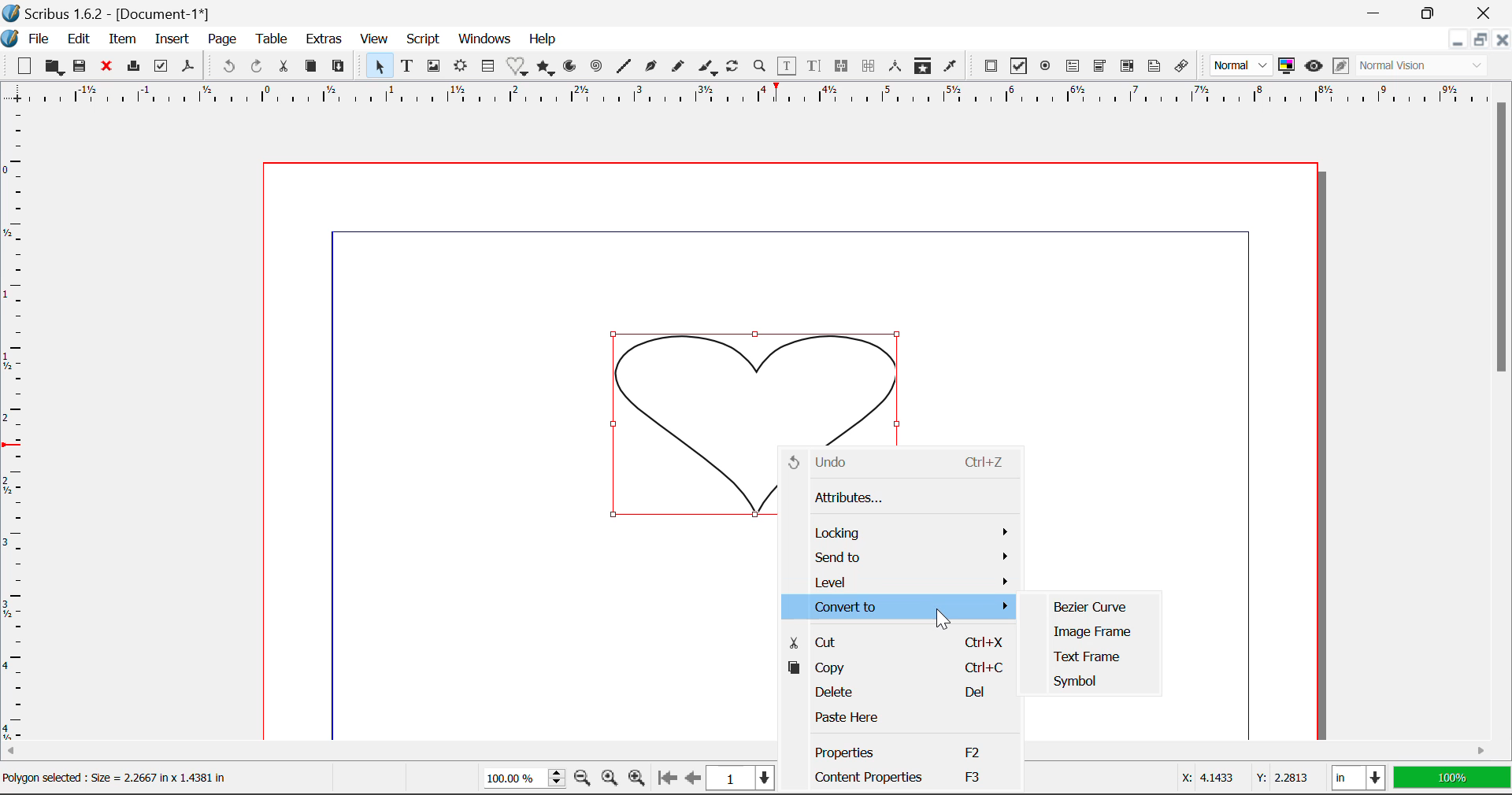 Image resolution: width=1512 pixels, height=795 pixels. I want to click on Symbol, so click(1088, 681).